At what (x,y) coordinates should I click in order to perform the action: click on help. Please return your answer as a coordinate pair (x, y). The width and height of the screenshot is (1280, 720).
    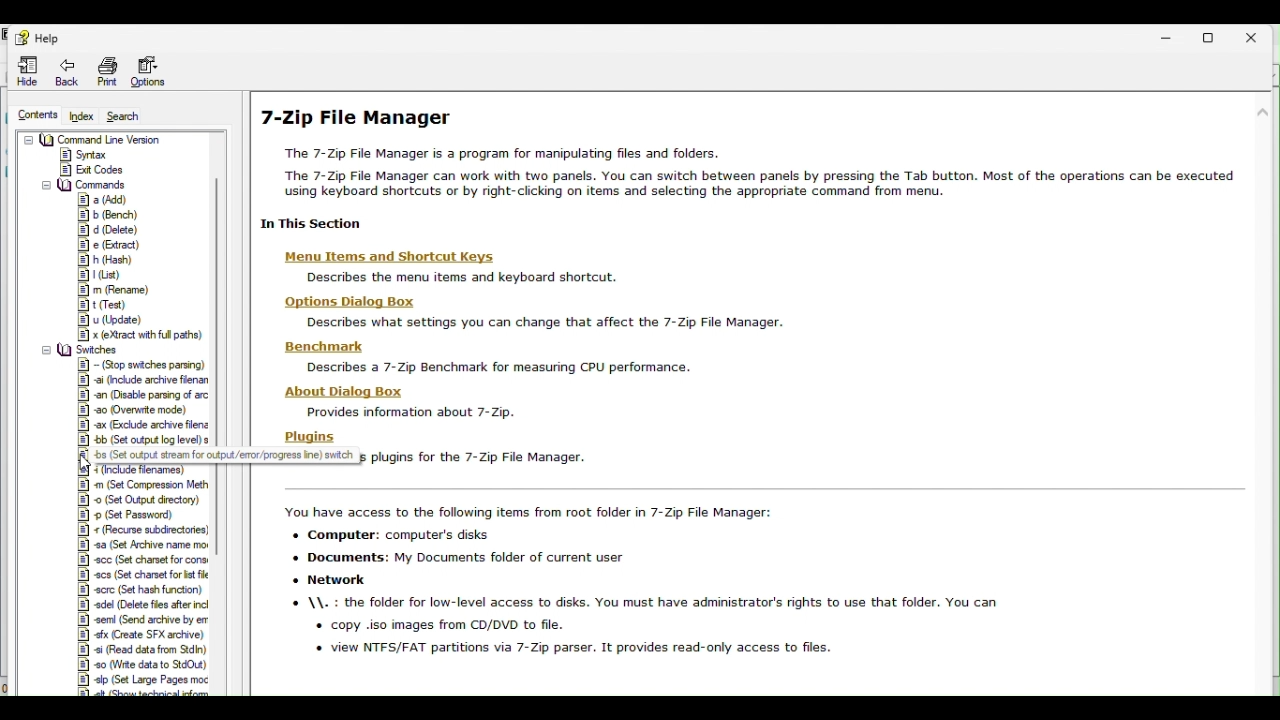
    Looking at the image, I should click on (35, 35).